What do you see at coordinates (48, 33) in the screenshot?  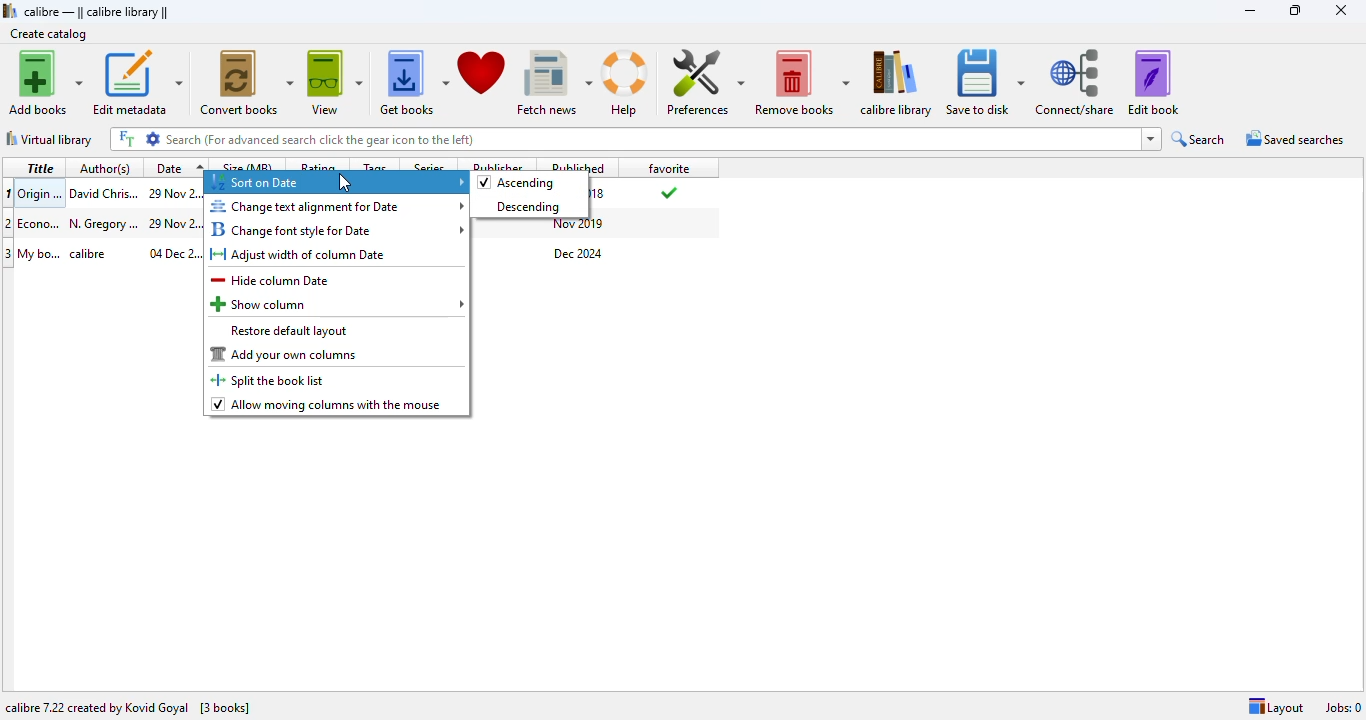 I see `create catalog` at bounding box center [48, 33].